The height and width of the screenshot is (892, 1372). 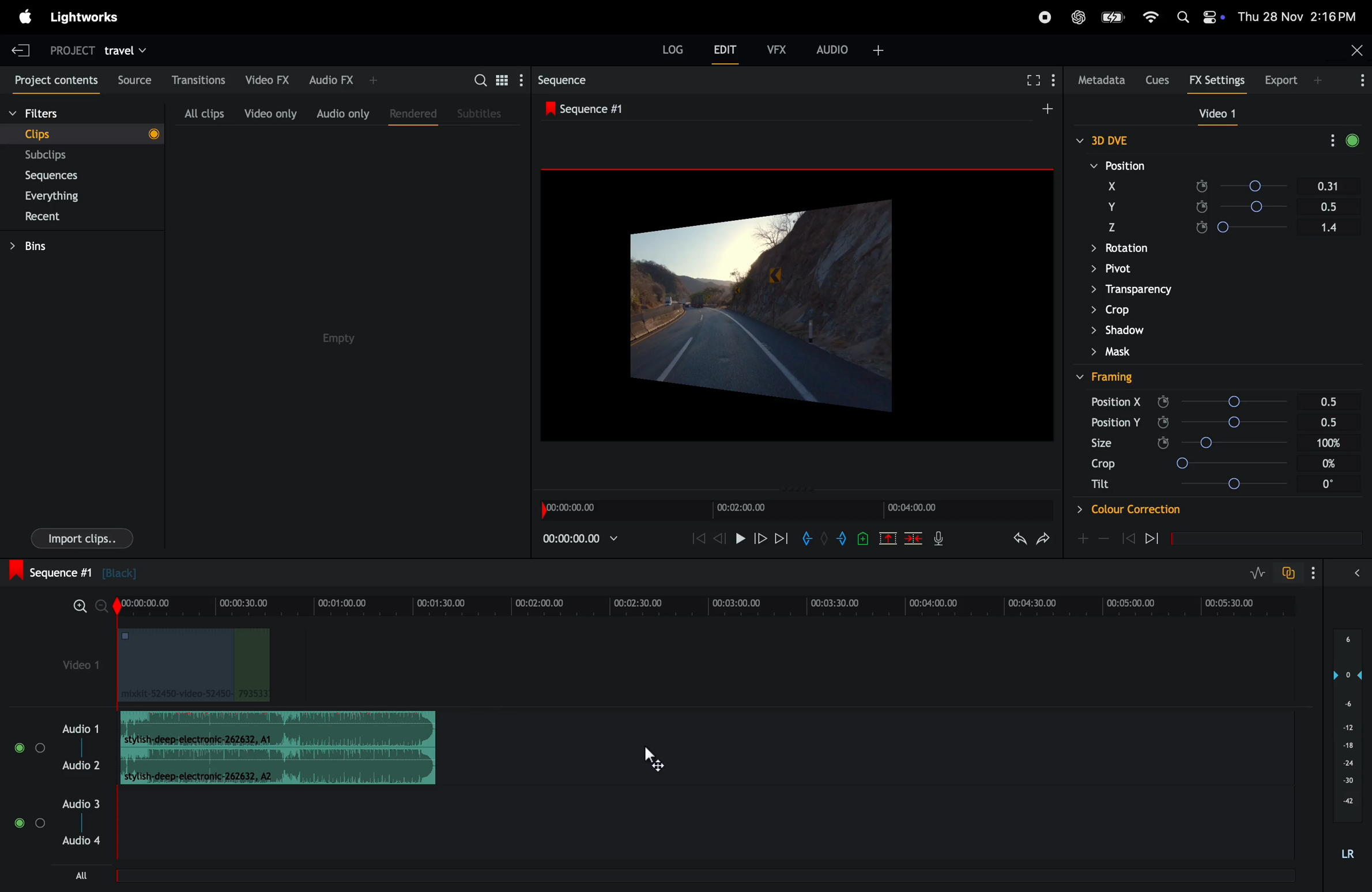 I want to click on remove marked section, so click(x=889, y=538).